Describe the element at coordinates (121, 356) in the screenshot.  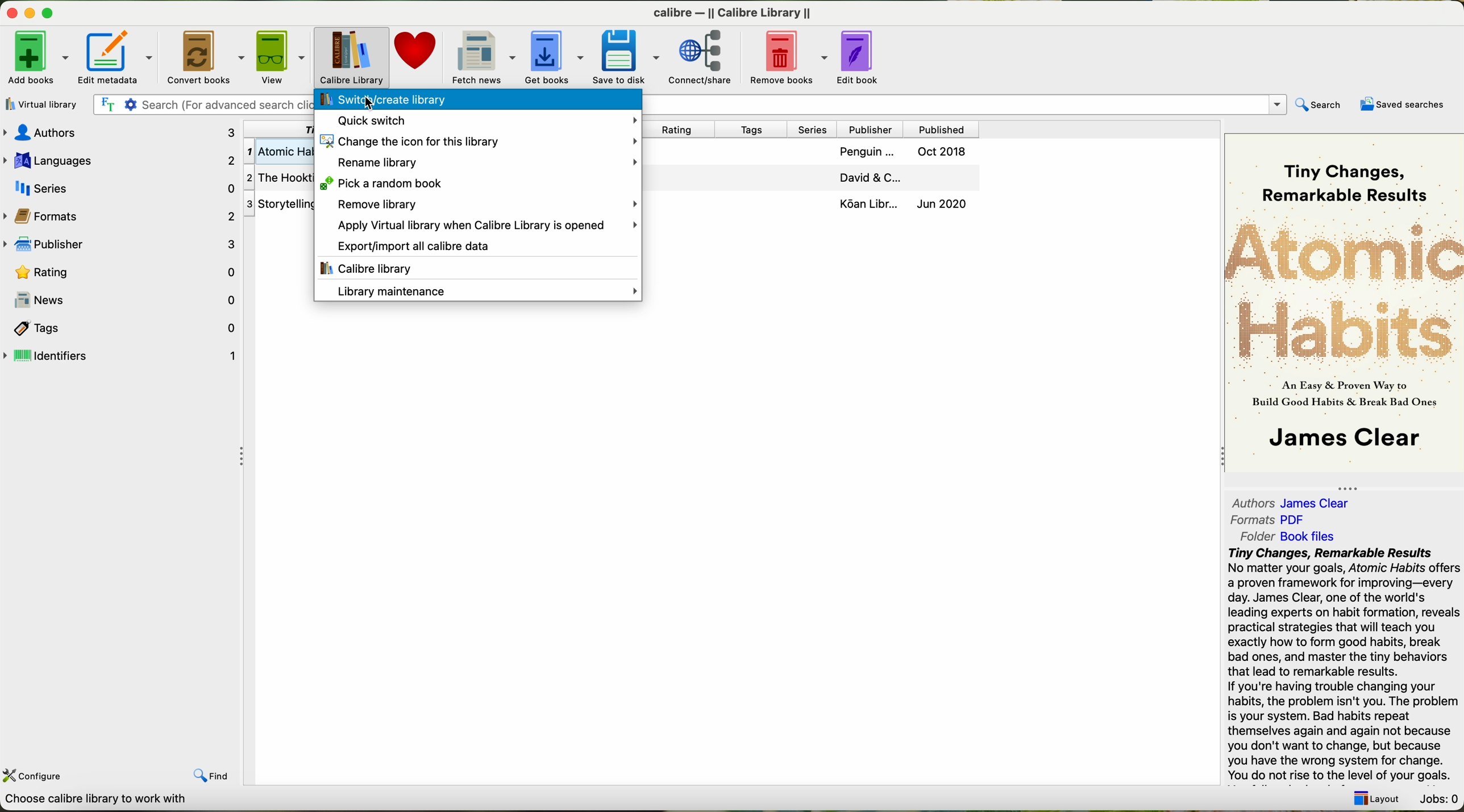
I see `identifiers` at that location.